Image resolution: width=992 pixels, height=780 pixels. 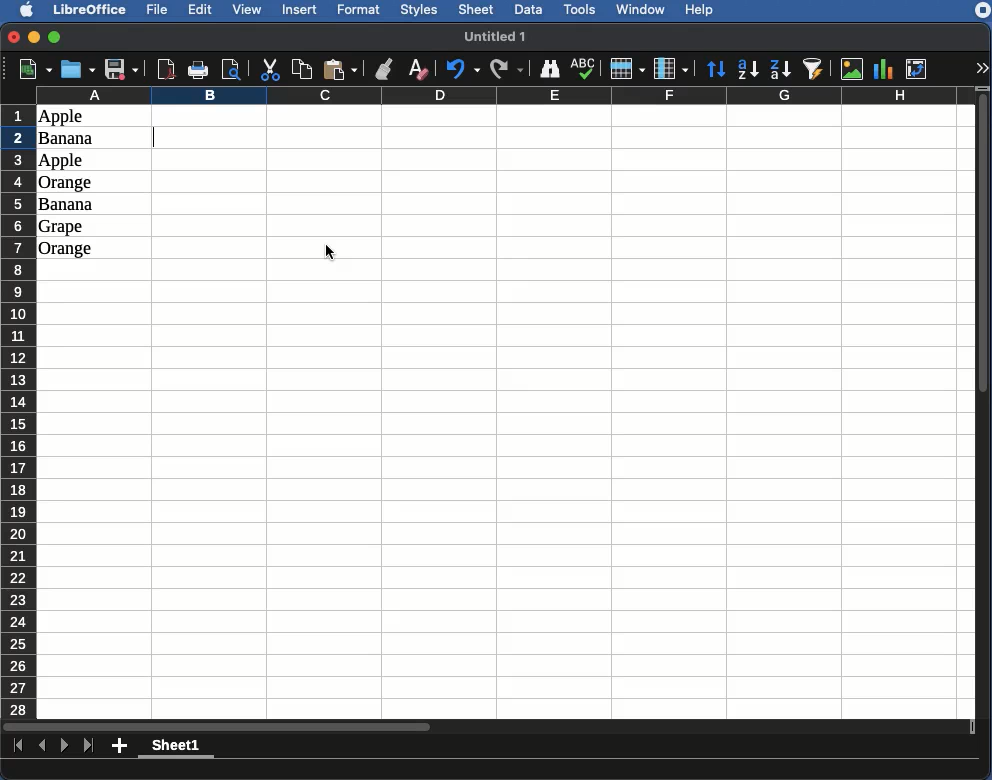 What do you see at coordinates (420, 68) in the screenshot?
I see `Clear formatting` at bounding box center [420, 68].